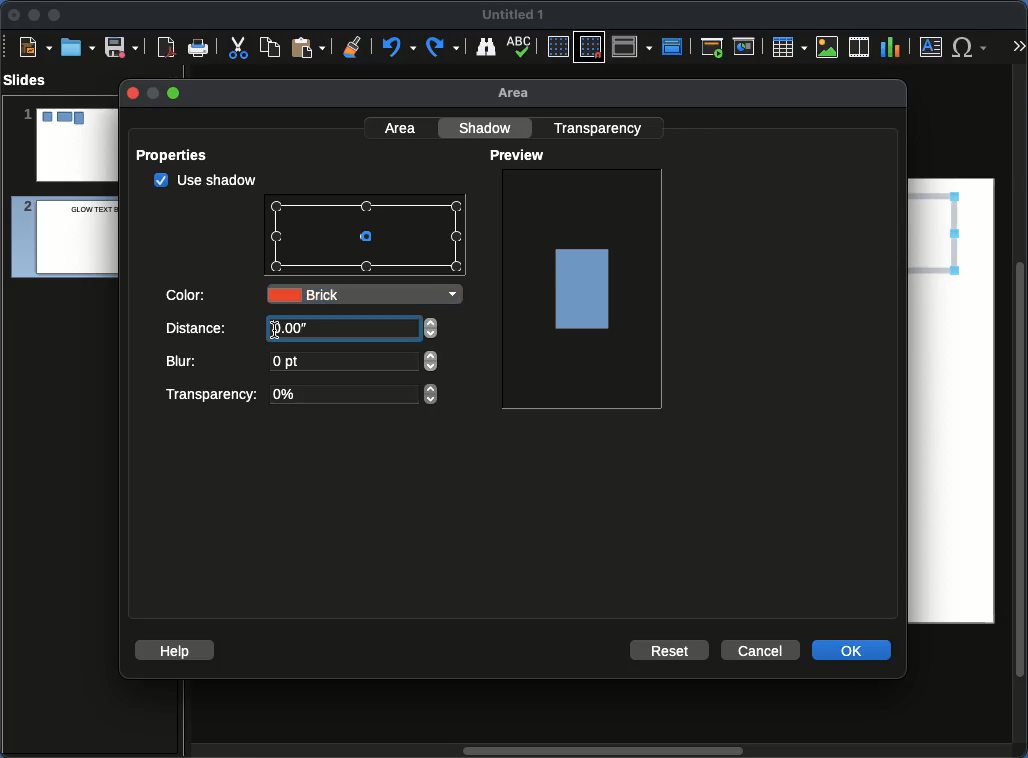  I want to click on minimize, so click(151, 93).